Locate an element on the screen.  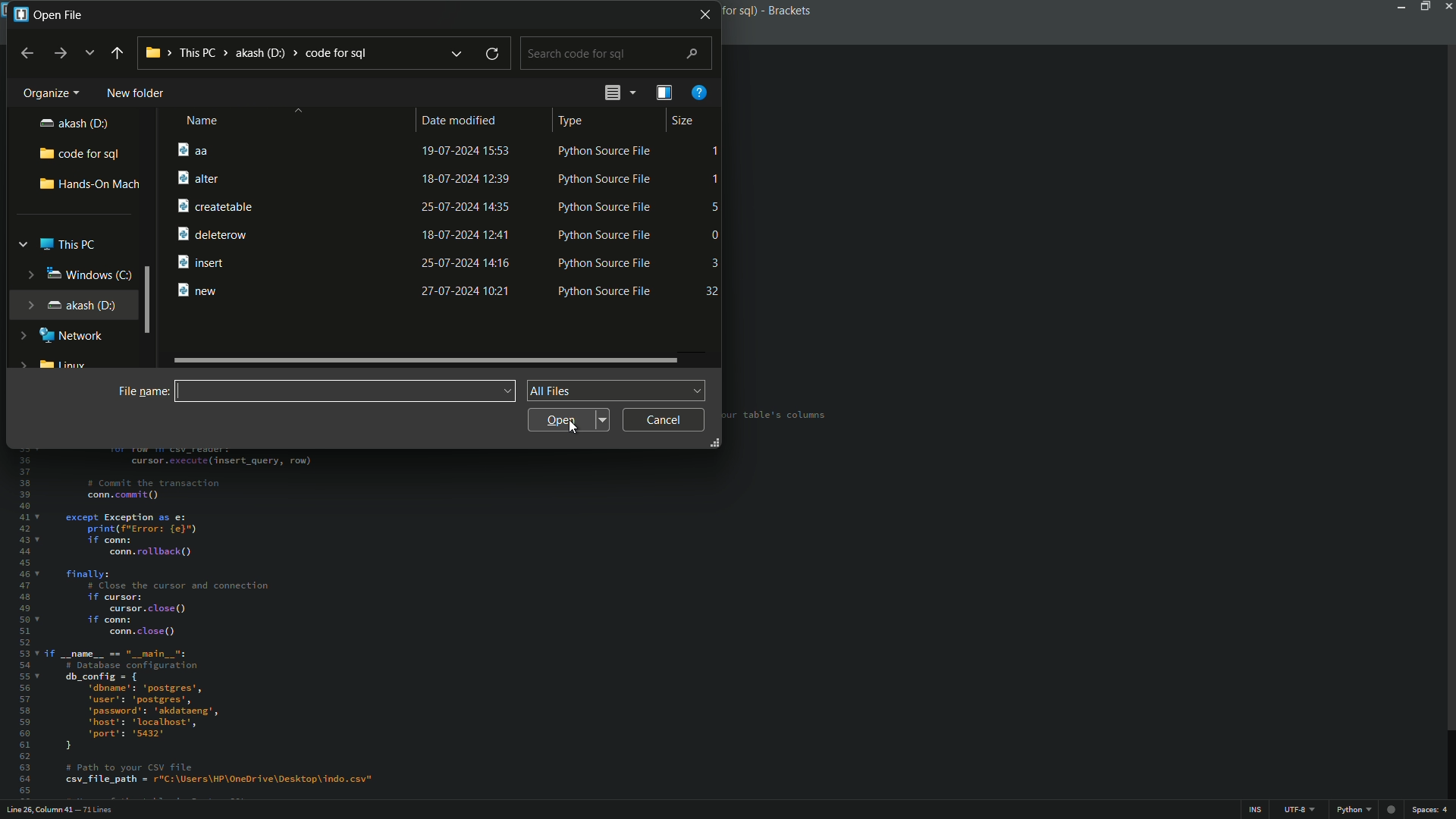
akash(D) is located at coordinates (67, 306).